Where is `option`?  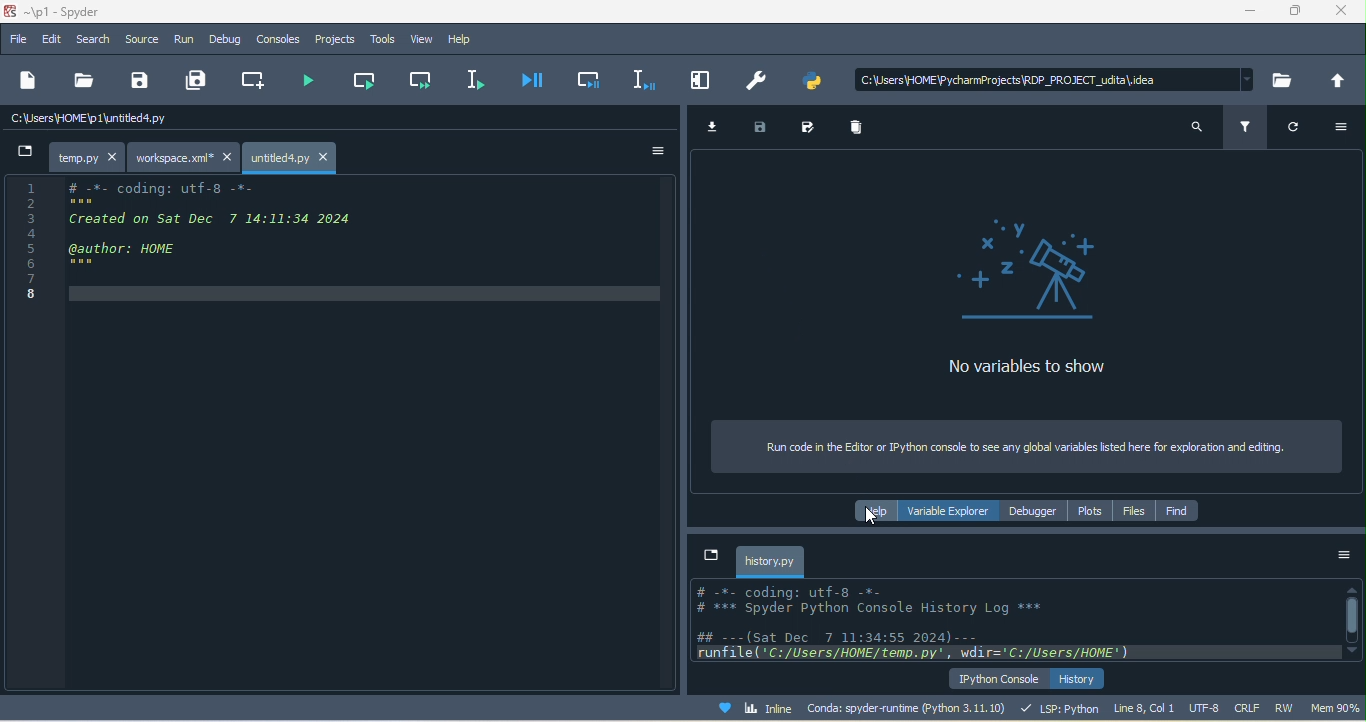
option is located at coordinates (1338, 555).